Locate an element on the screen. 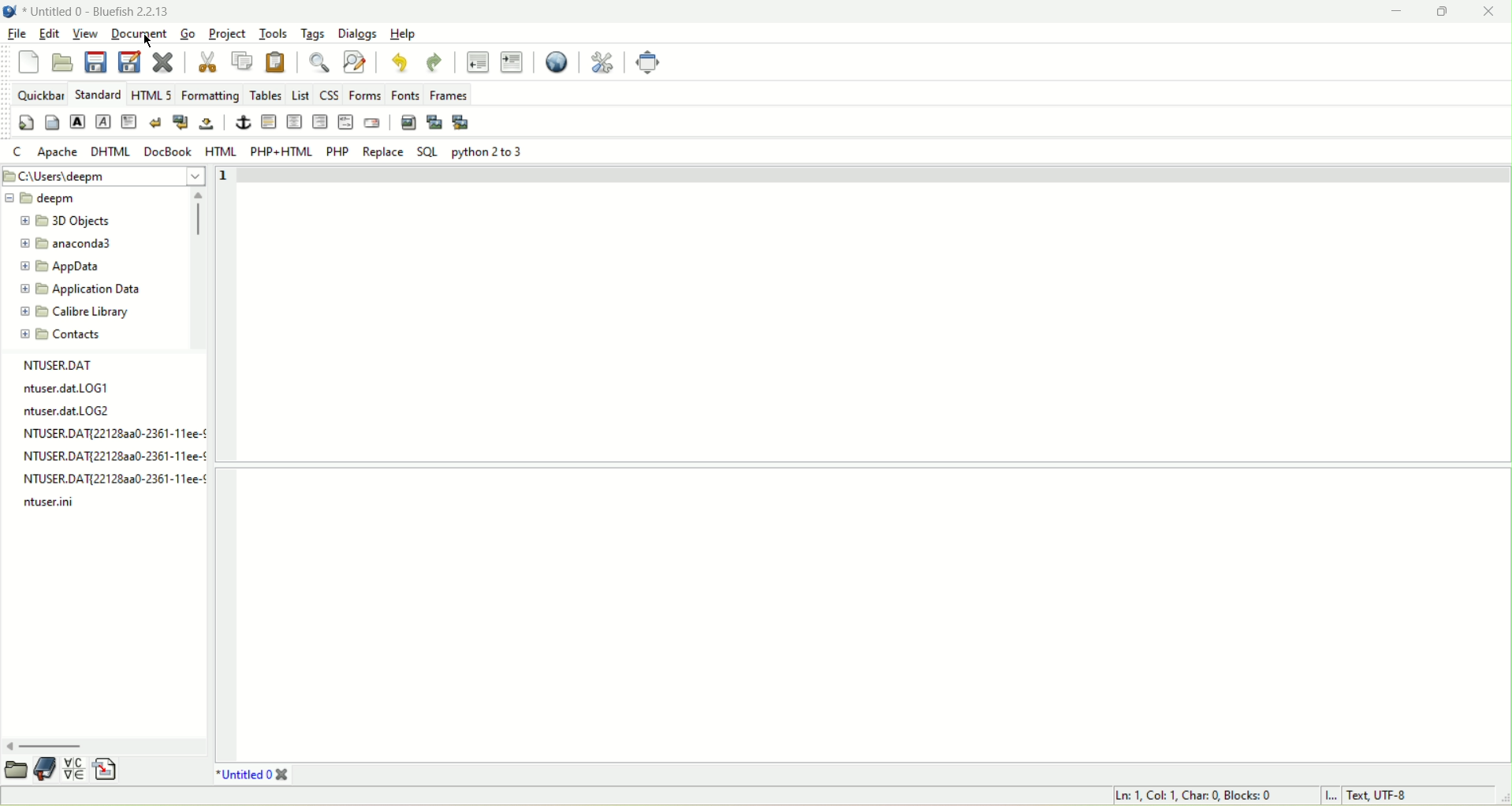  break and clear is located at coordinates (181, 121).